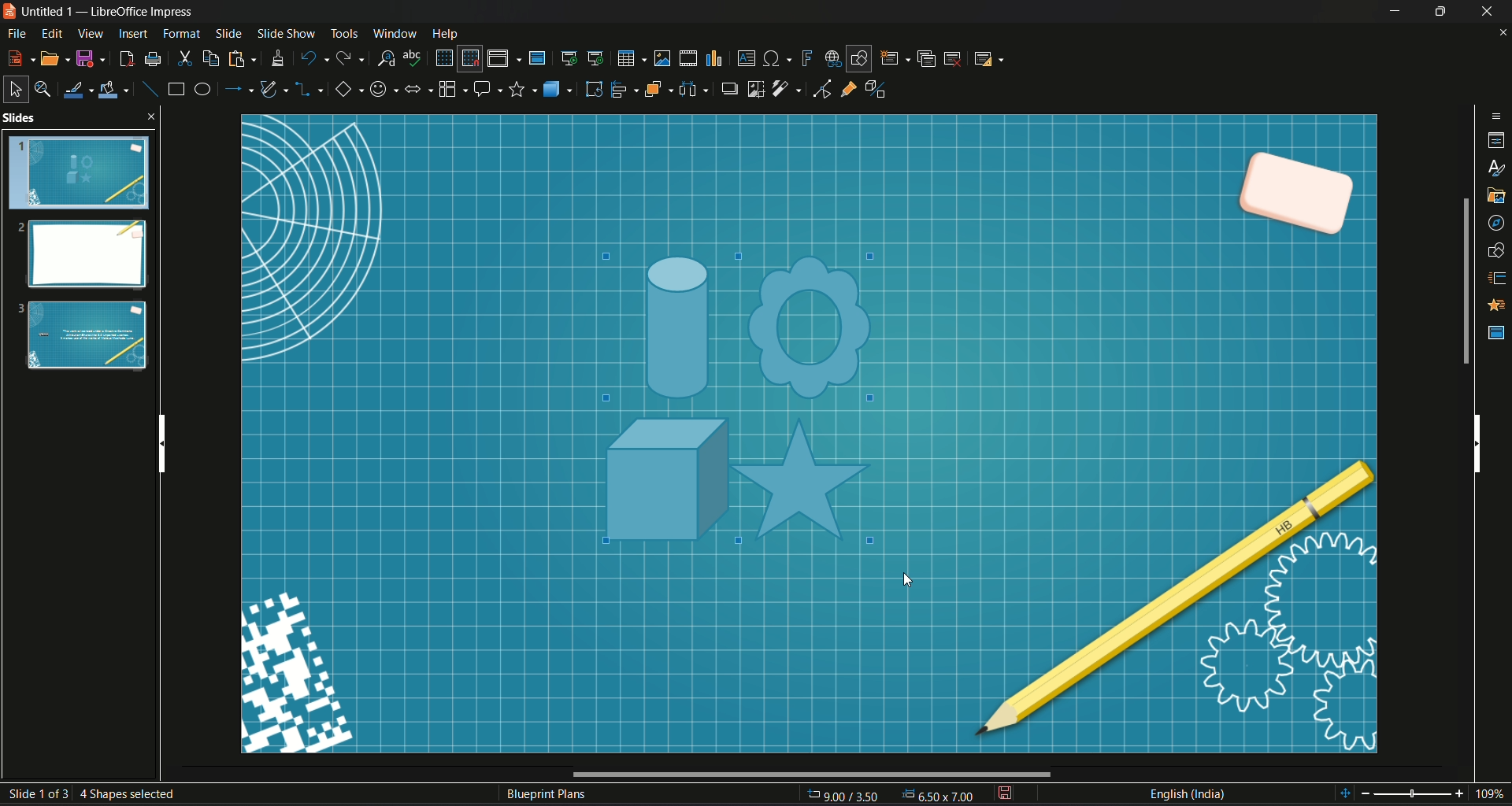 The image size is (1512, 806). Describe the element at coordinates (859, 58) in the screenshot. I see `show draw function` at that location.